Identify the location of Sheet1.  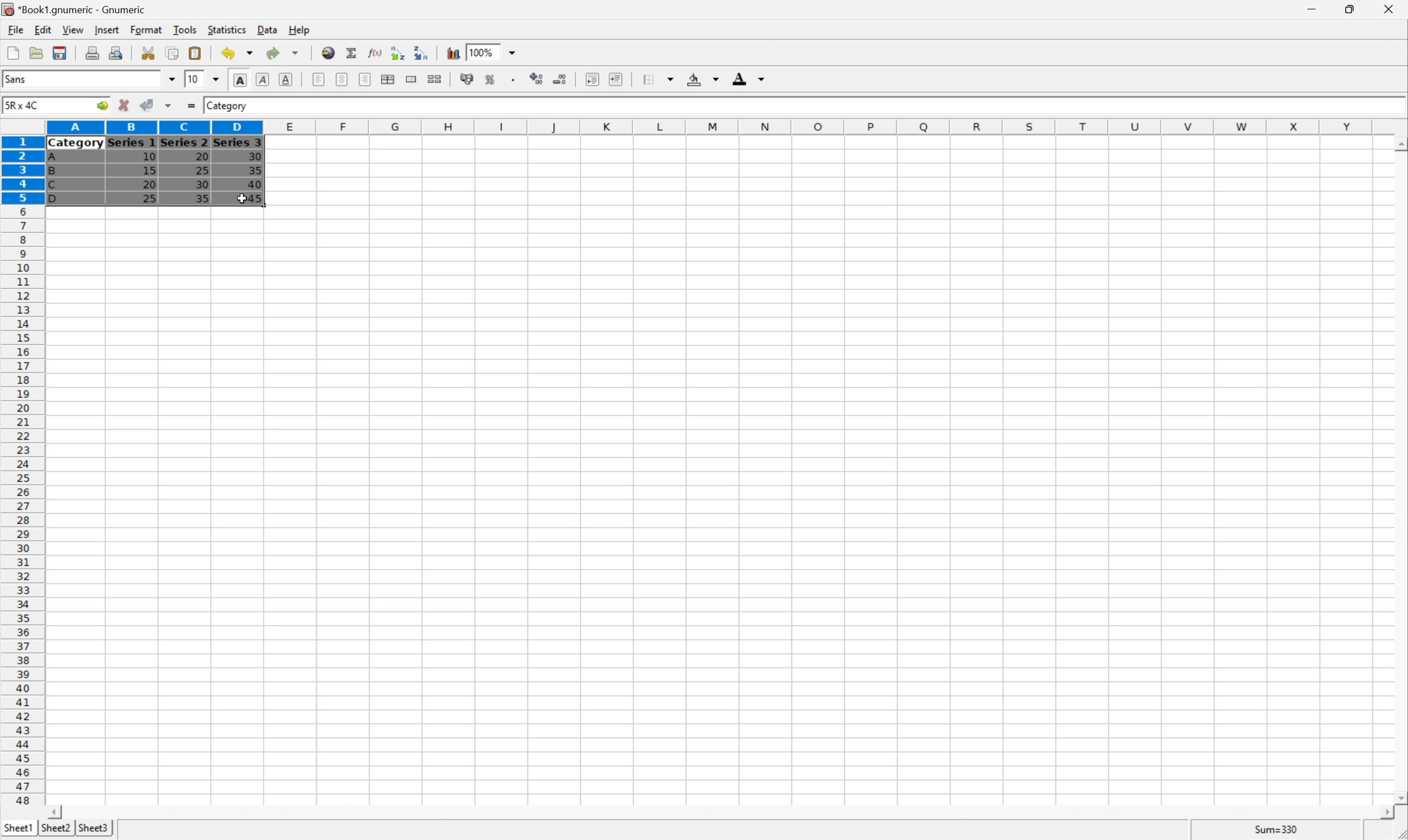
(18, 829).